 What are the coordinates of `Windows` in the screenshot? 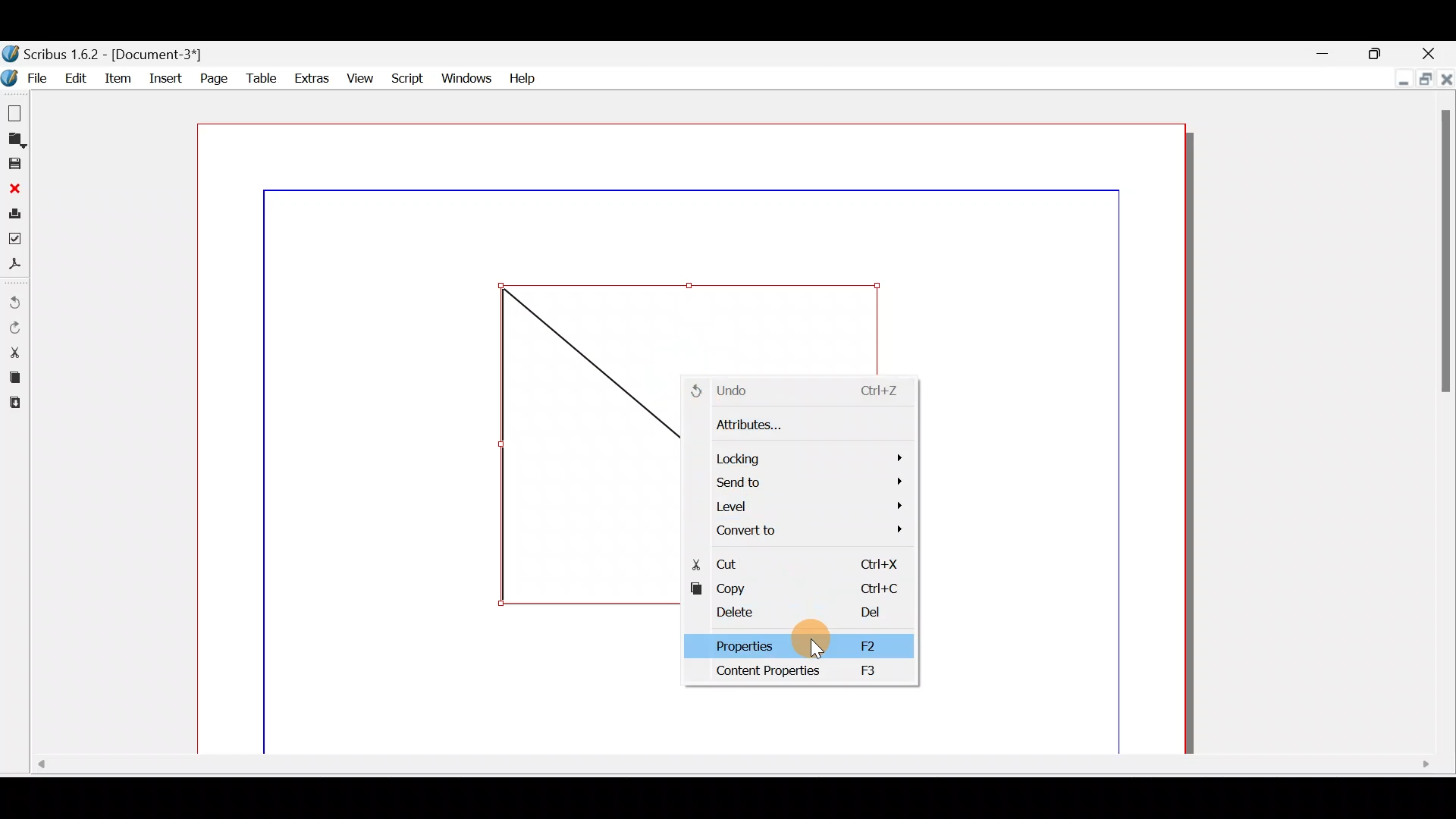 It's located at (464, 75).